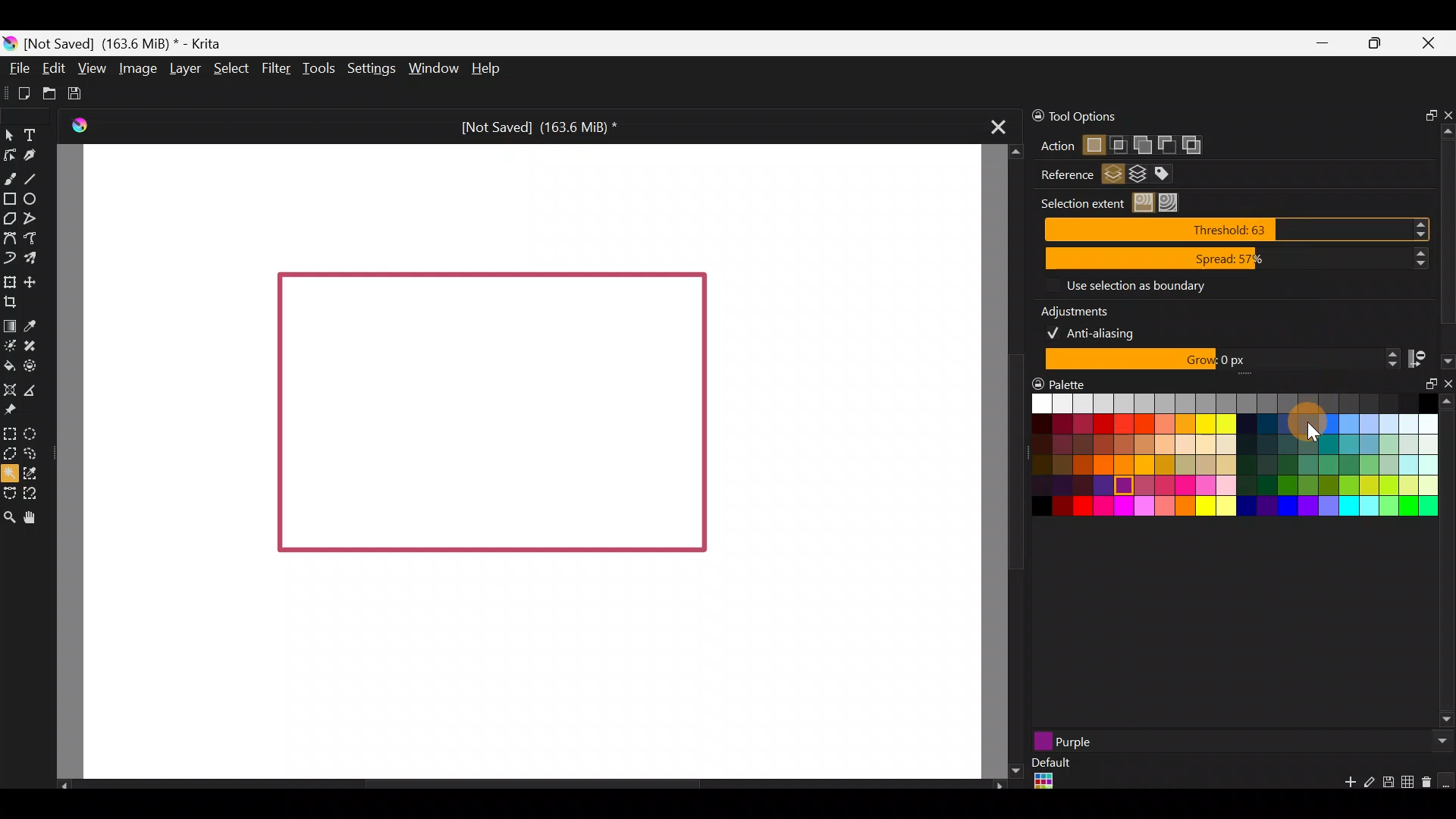 Image resolution: width=1456 pixels, height=819 pixels. I want to click on Selection extent, so click(1080, 203).